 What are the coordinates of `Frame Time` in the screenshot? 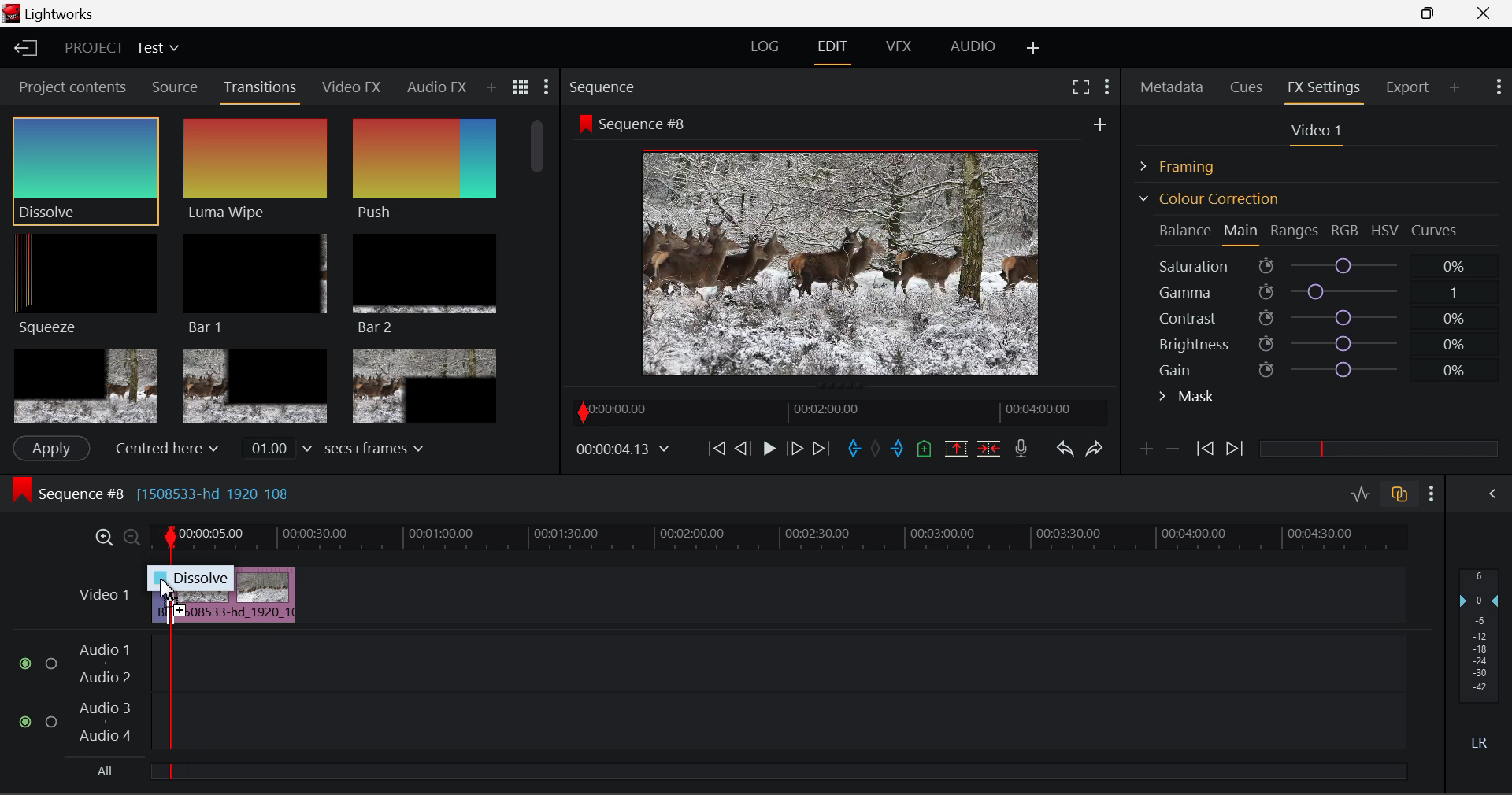 It's located at (624, 450).